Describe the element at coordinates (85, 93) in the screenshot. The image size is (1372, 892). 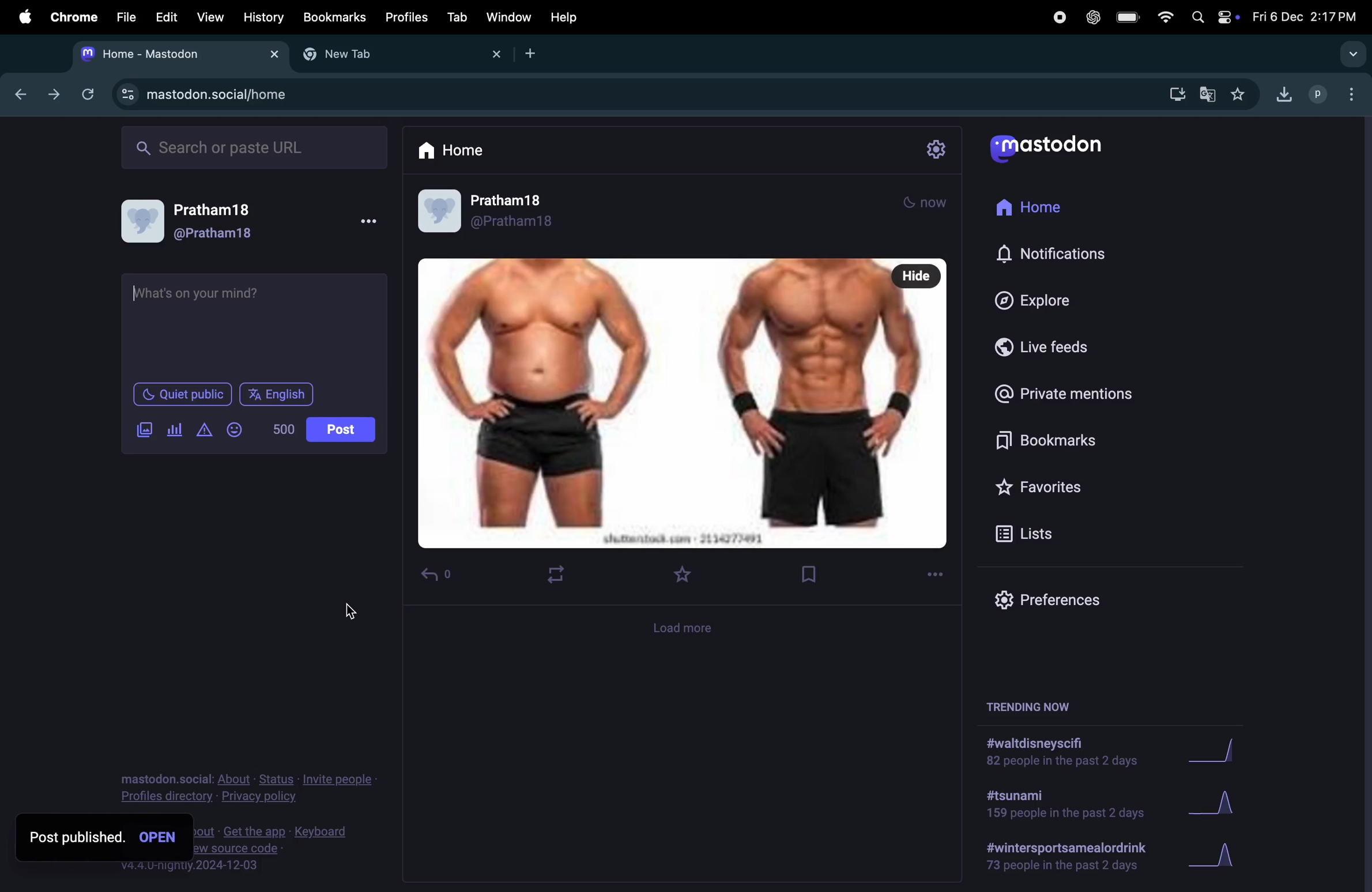
I see `refresh` at that location.